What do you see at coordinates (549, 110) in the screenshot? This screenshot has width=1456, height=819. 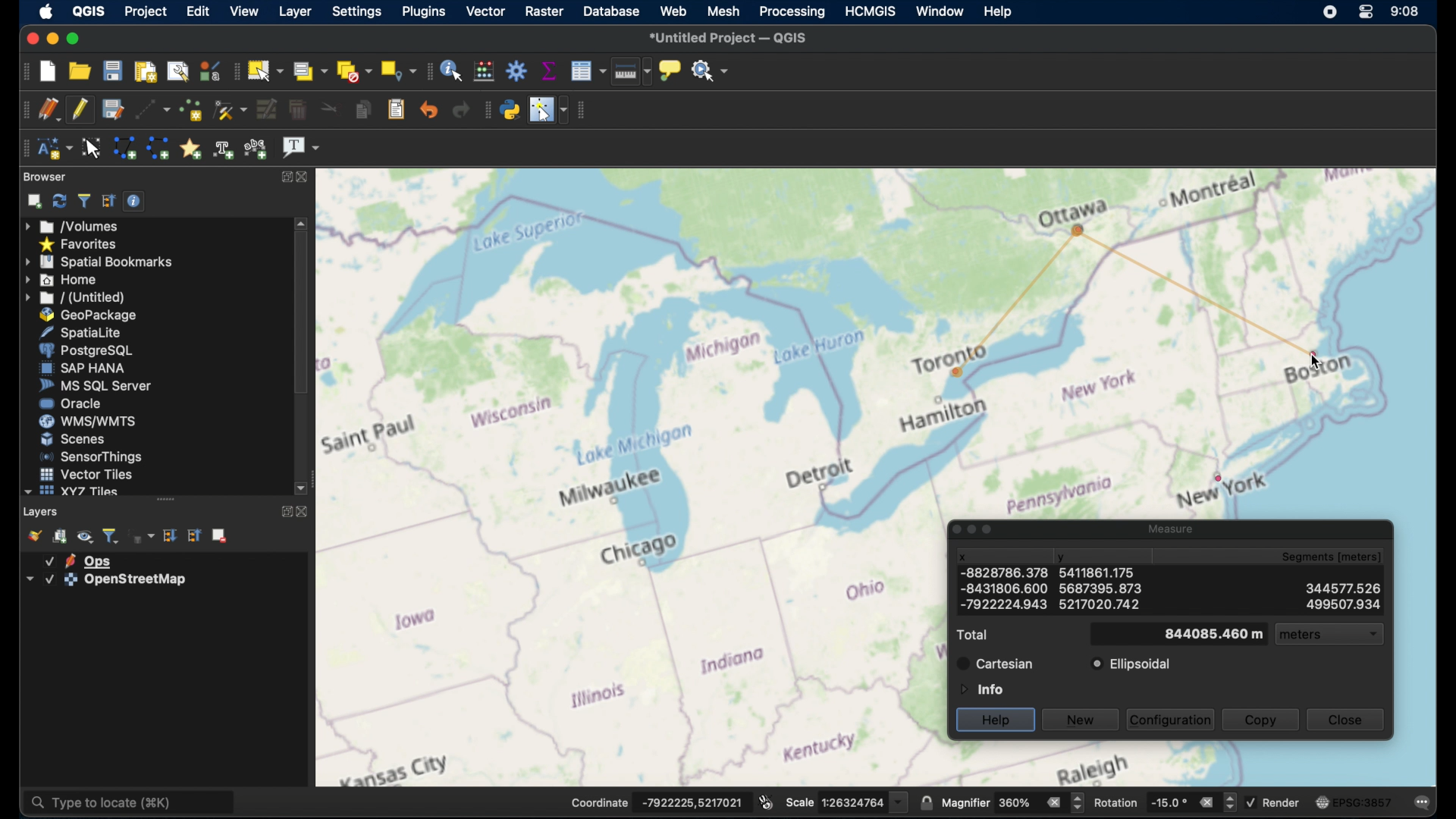 I see `switches mouse cursor to configurable position` at bounding box center [549, 110].